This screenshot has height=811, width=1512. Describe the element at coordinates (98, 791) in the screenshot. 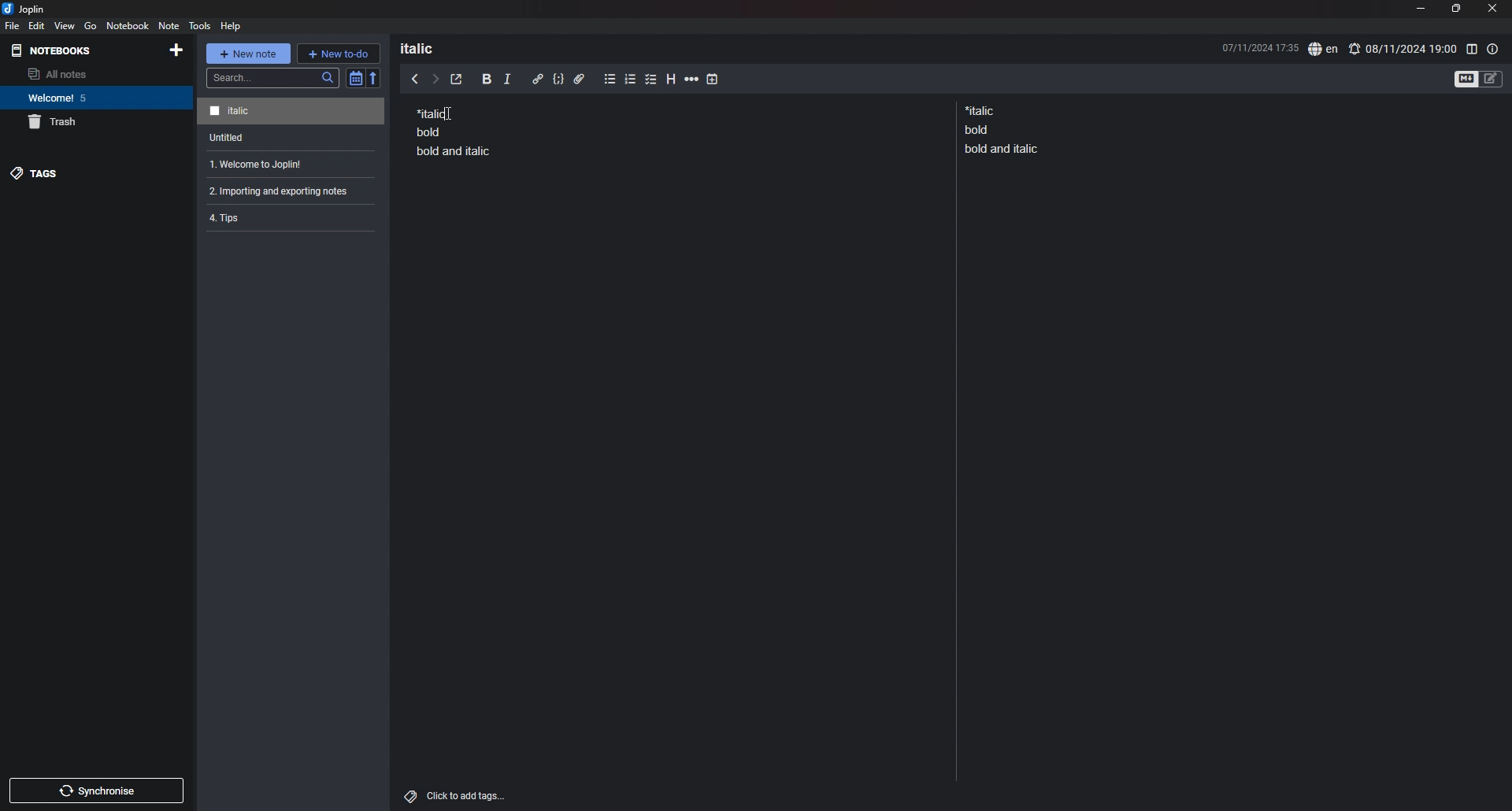

I see `sync` at that location.